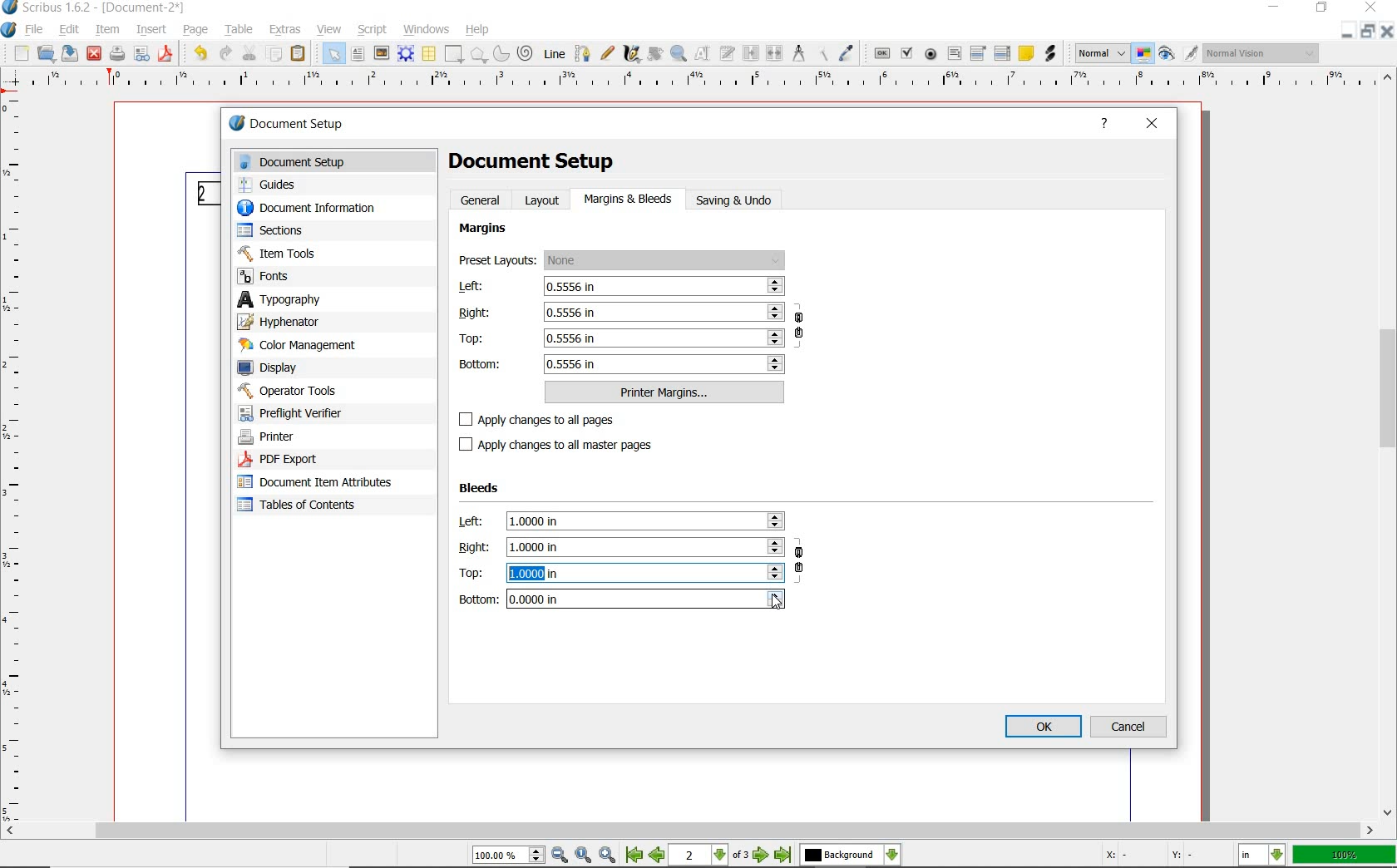 Image resolution: width=1397 pixels, height=868 pixels. What do you see at coordinates (486, 229) in the screenshot?
I see `margins` at bounding box center [486, 229].